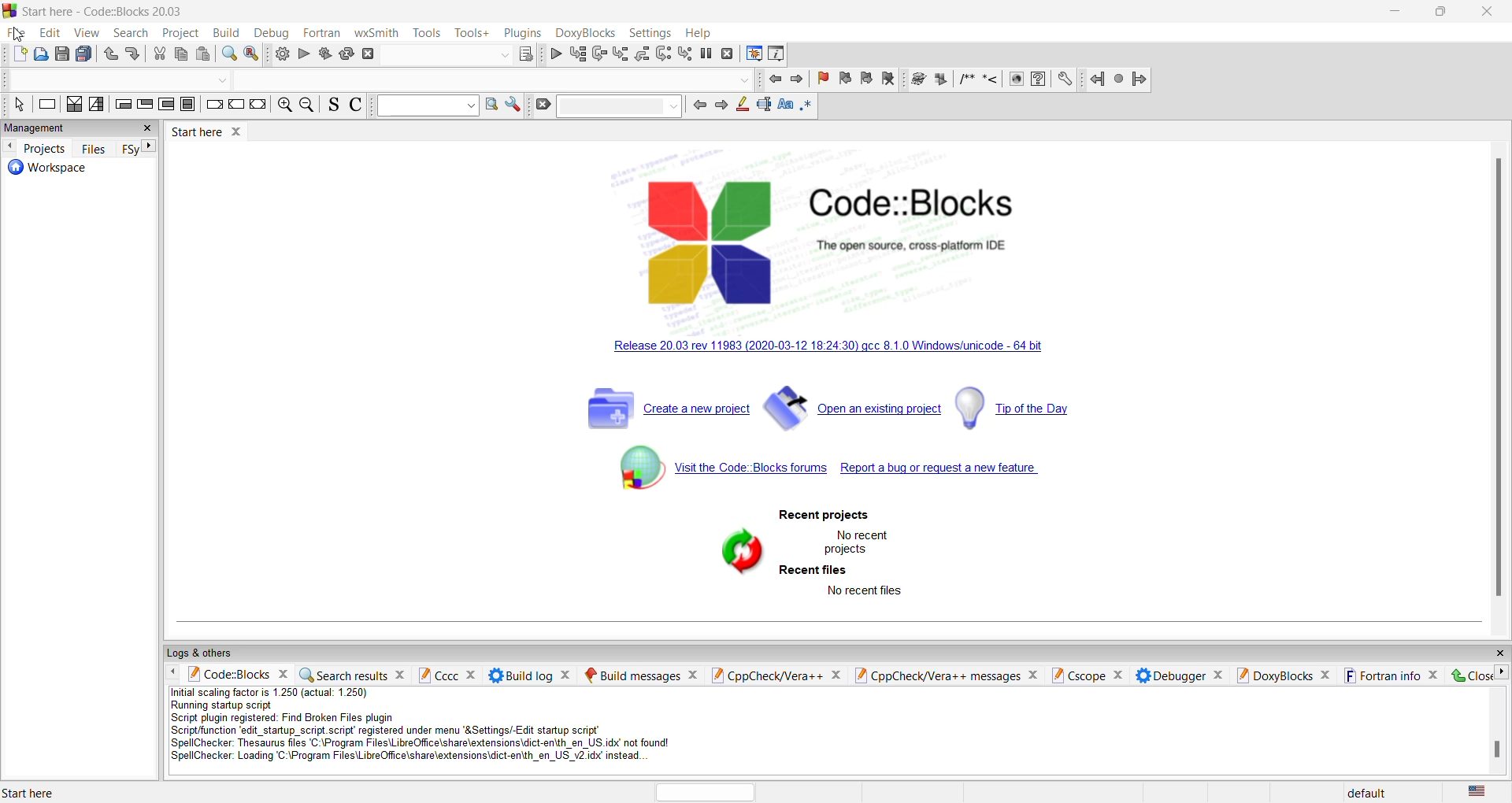 This screenshot has width=1512, height=803. What do you see at coordinates (765, 104) in the screenshot?
I see `selected text` at bounding box center [765, 104].